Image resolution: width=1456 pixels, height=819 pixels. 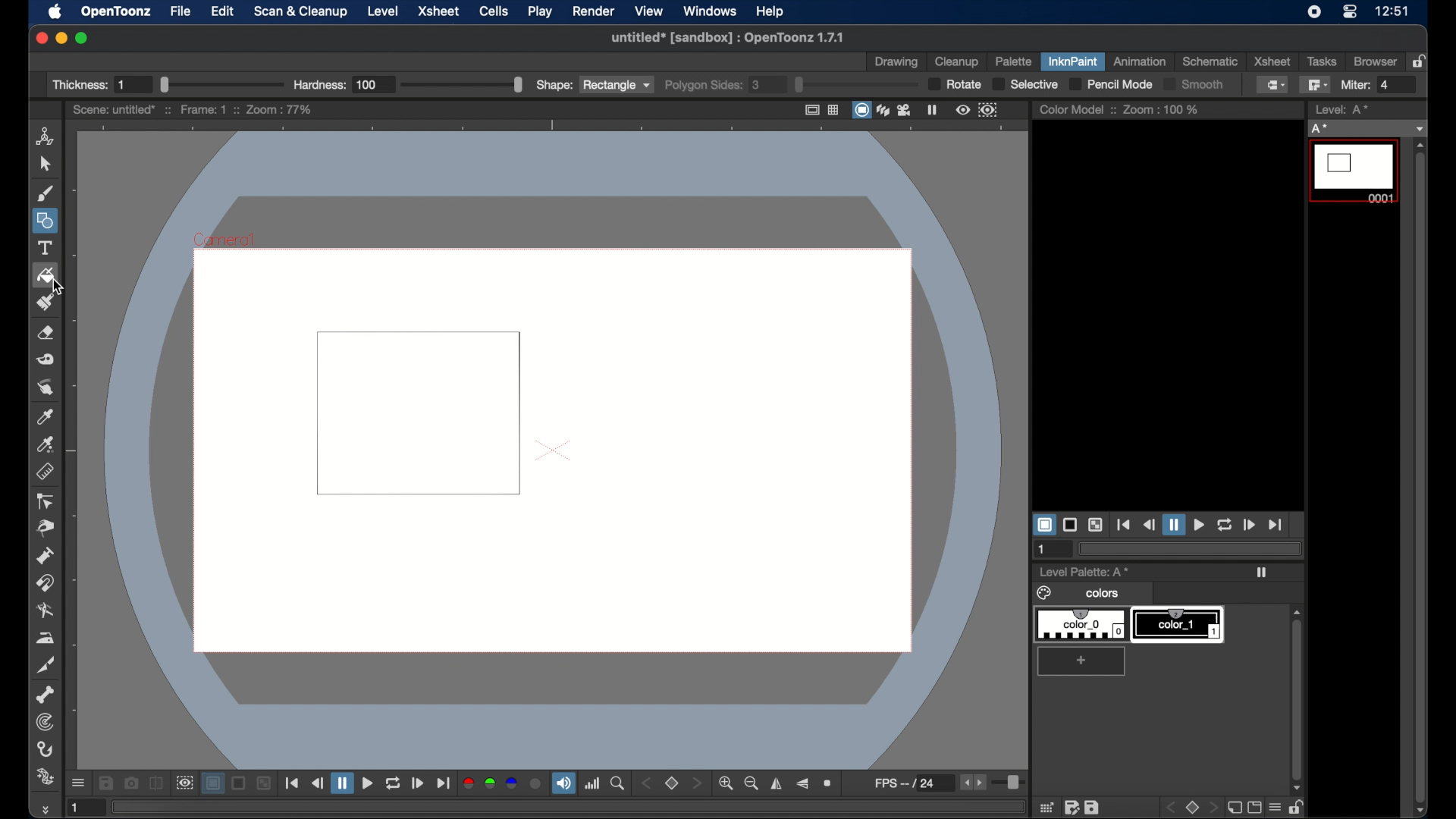 What do you see at coordinates (1027, 86) in the screenshot?
I see `selective` at bounding box center [1027, 86].